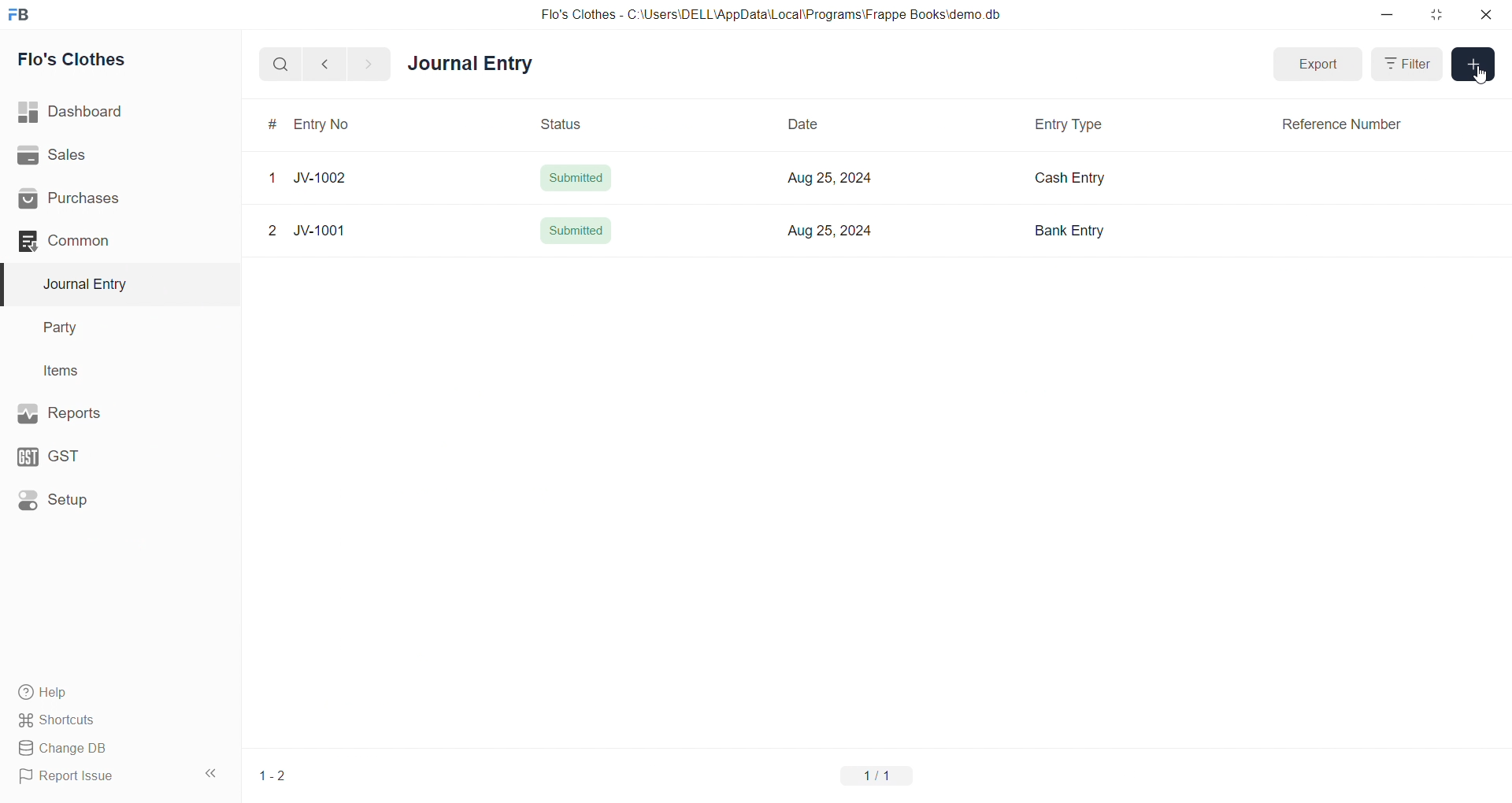  I want to click on close, so click(1485, 14).